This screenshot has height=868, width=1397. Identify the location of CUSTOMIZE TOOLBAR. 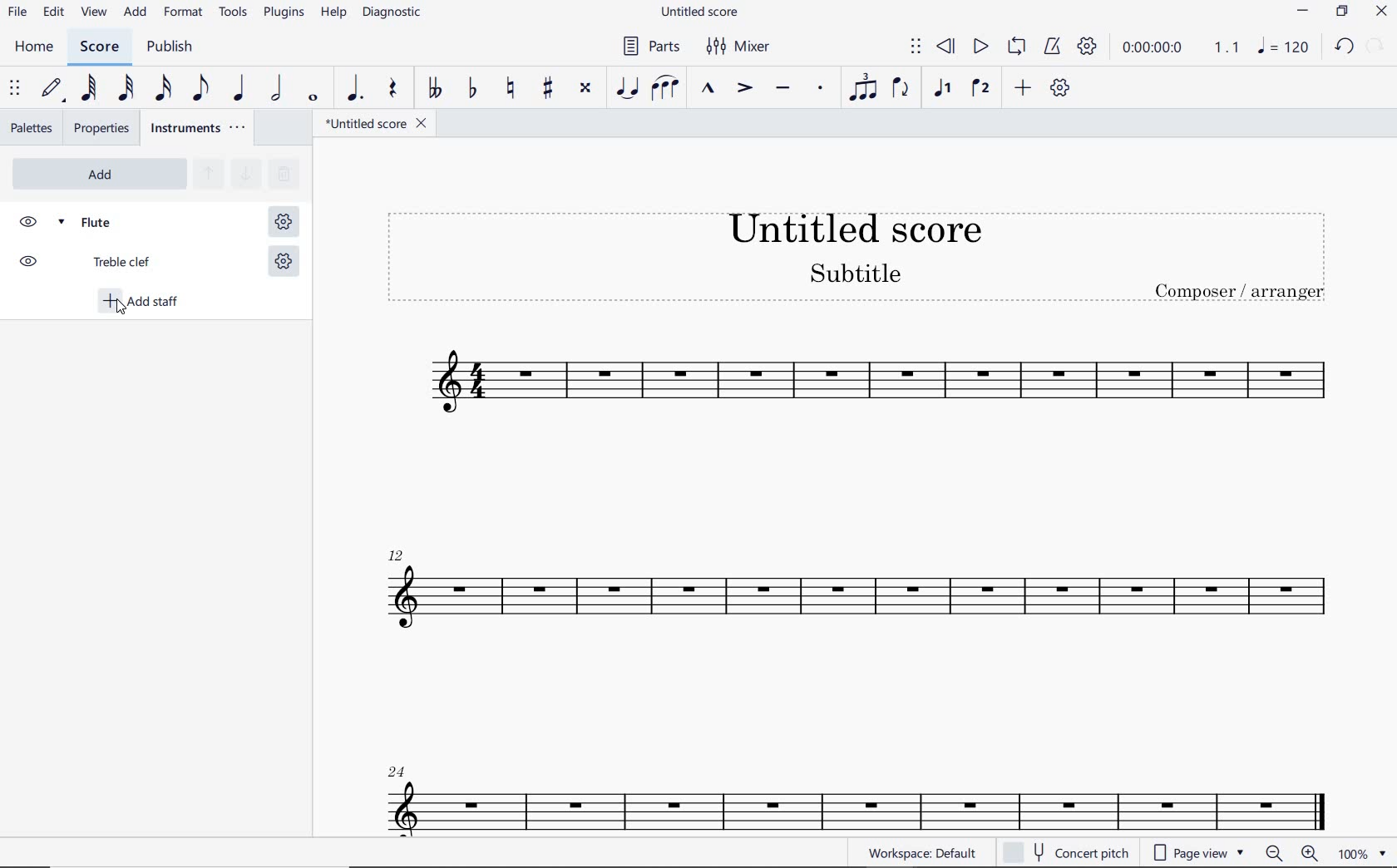
(1060, 87).